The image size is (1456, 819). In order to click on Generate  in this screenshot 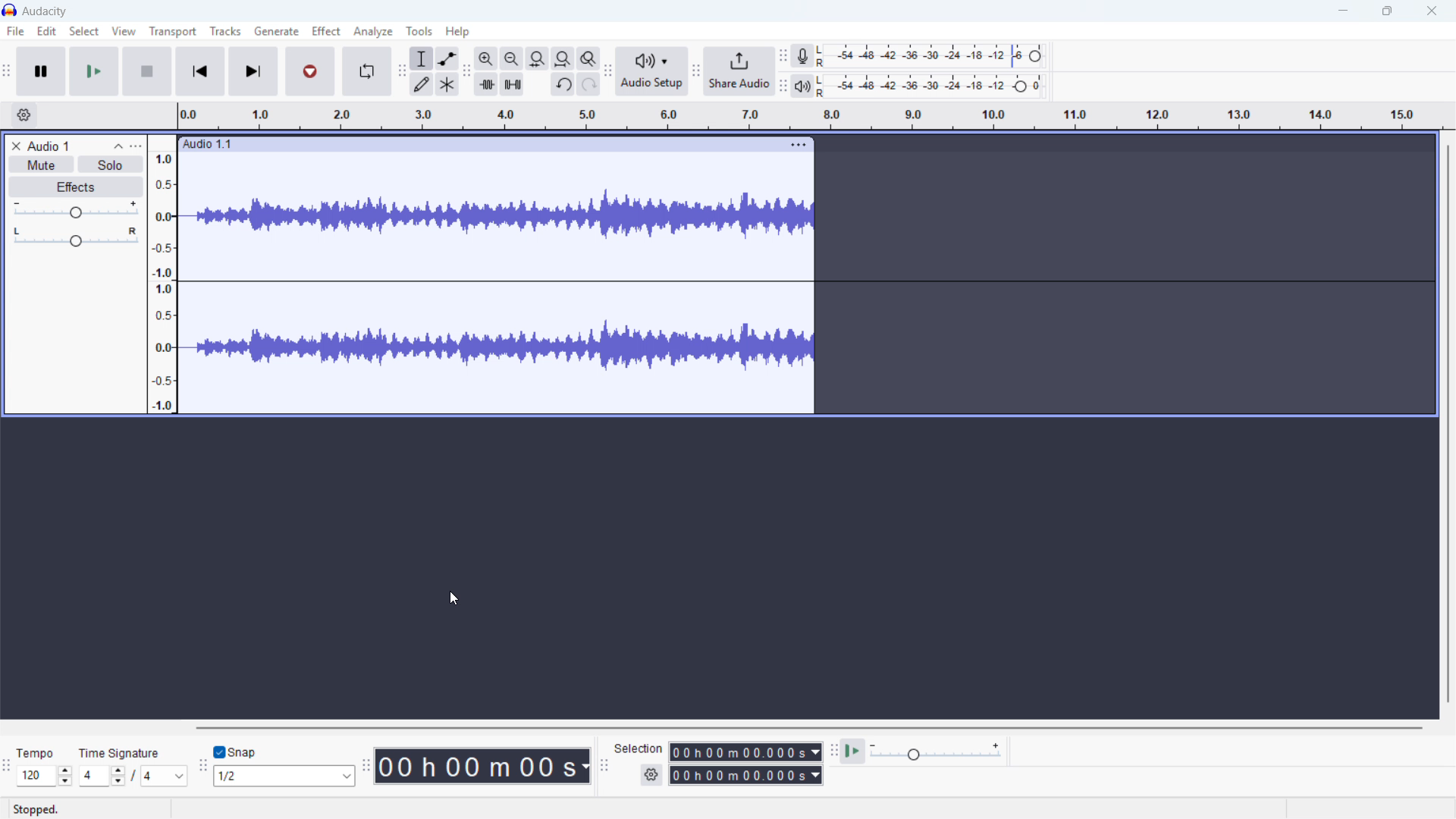, I will do `click(275, 30)`.